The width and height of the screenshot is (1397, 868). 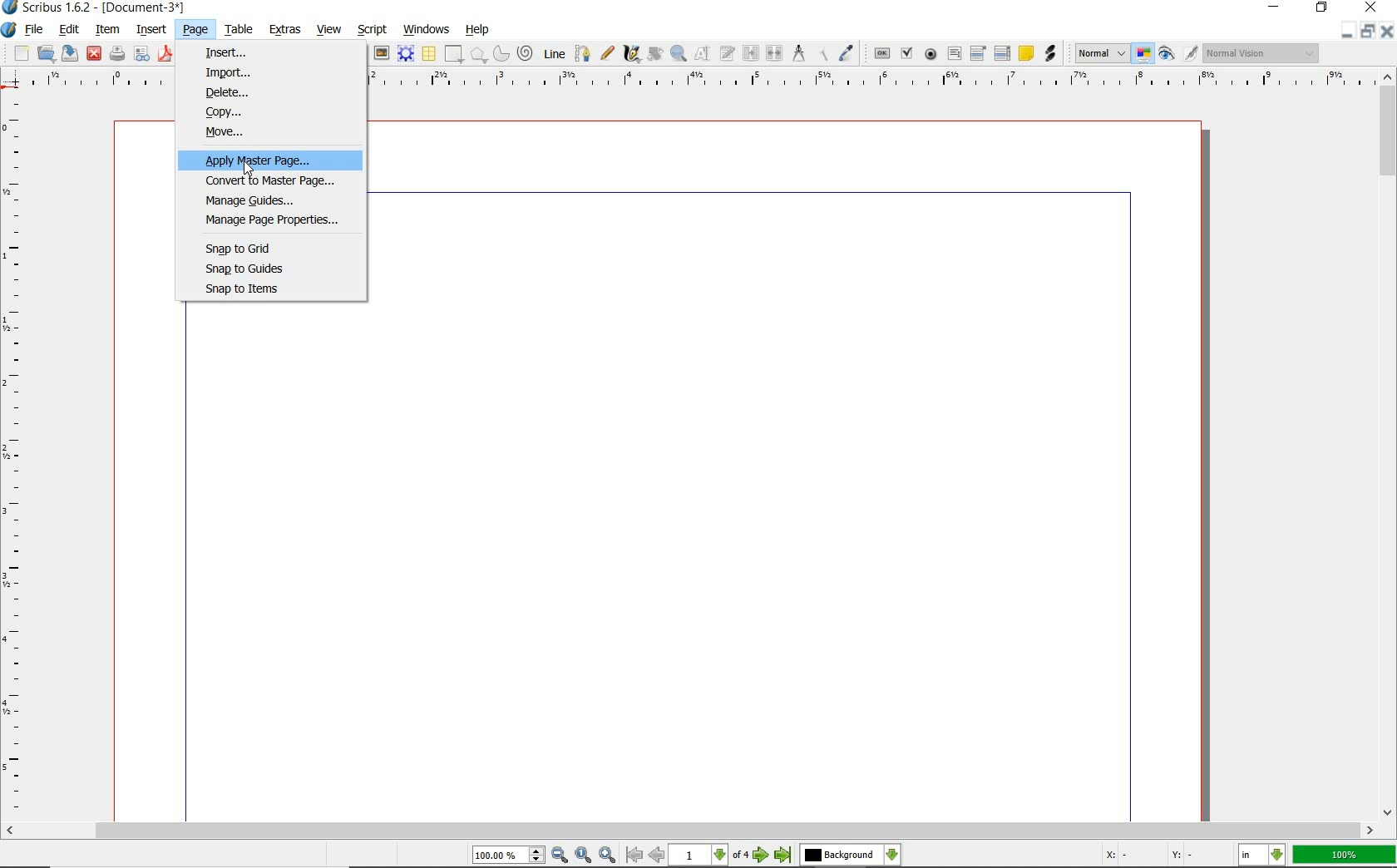 What do you see at coordinates (1389, 445) in the screenshot?
I see `scrollbar` at bounding box center [1389, 445].